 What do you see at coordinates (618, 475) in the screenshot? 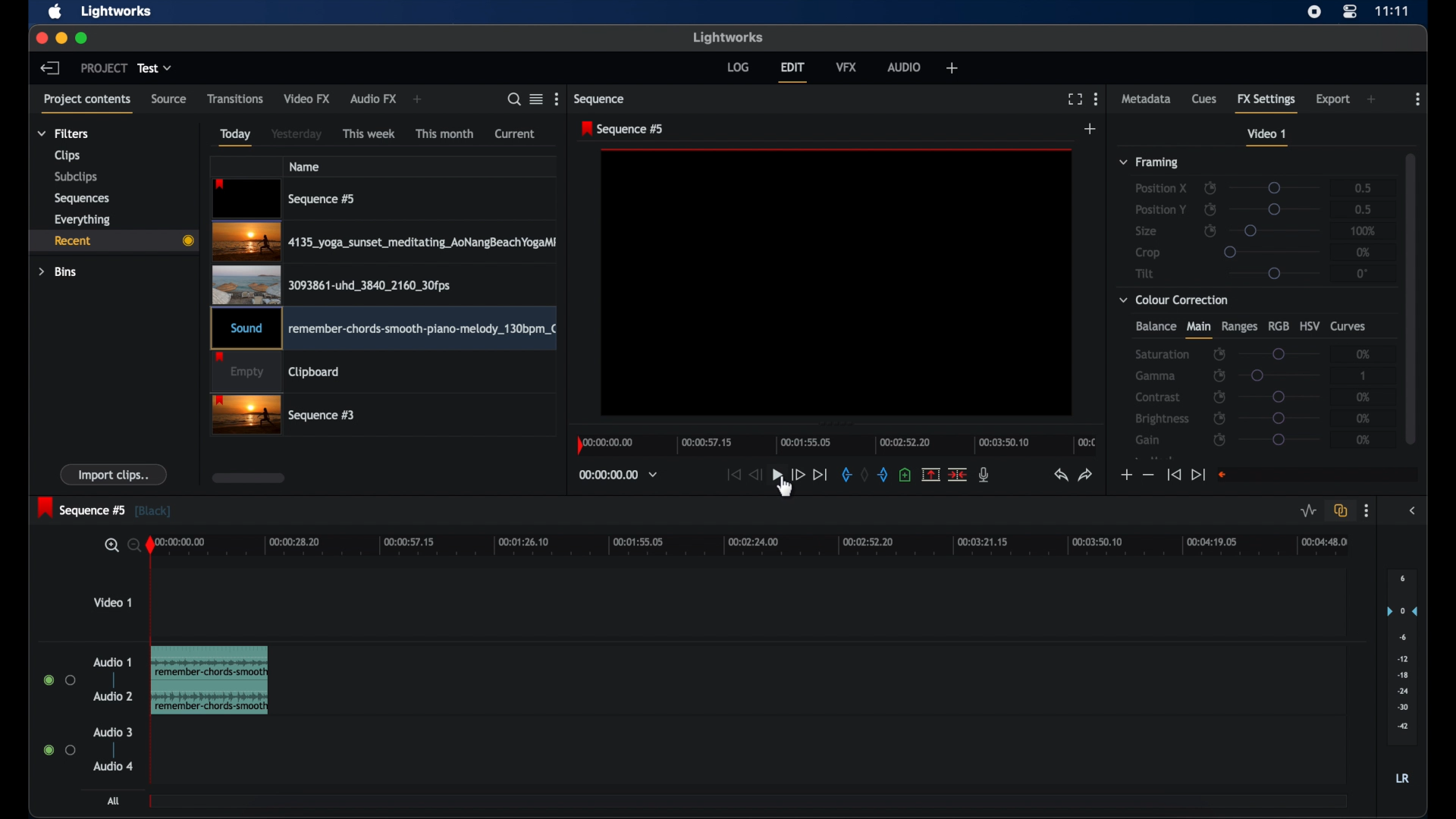
I see `timecodes and reels` at bounding box center [618, 475].